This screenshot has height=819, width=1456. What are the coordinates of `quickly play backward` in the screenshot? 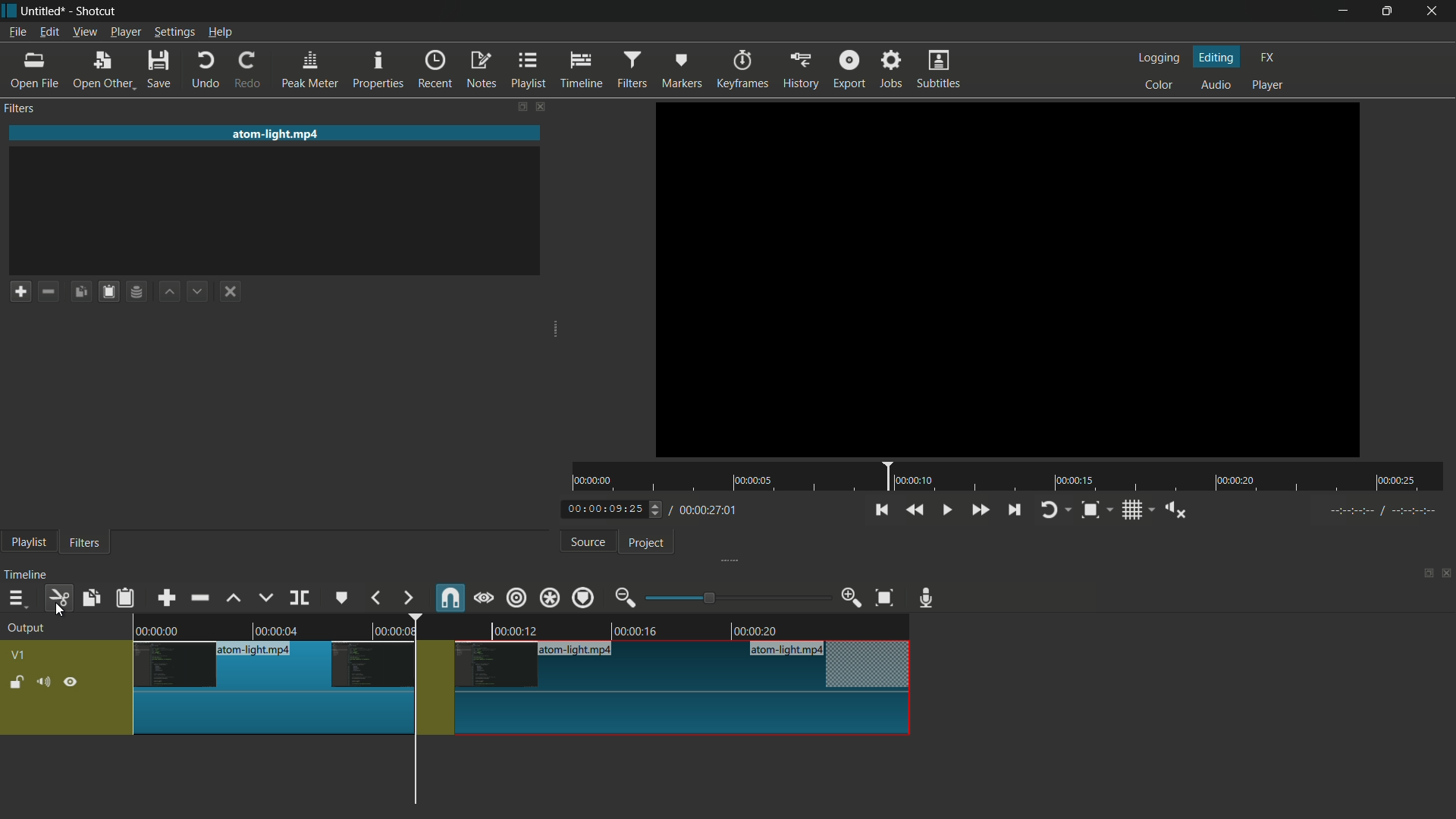 It's located at (916, 510).